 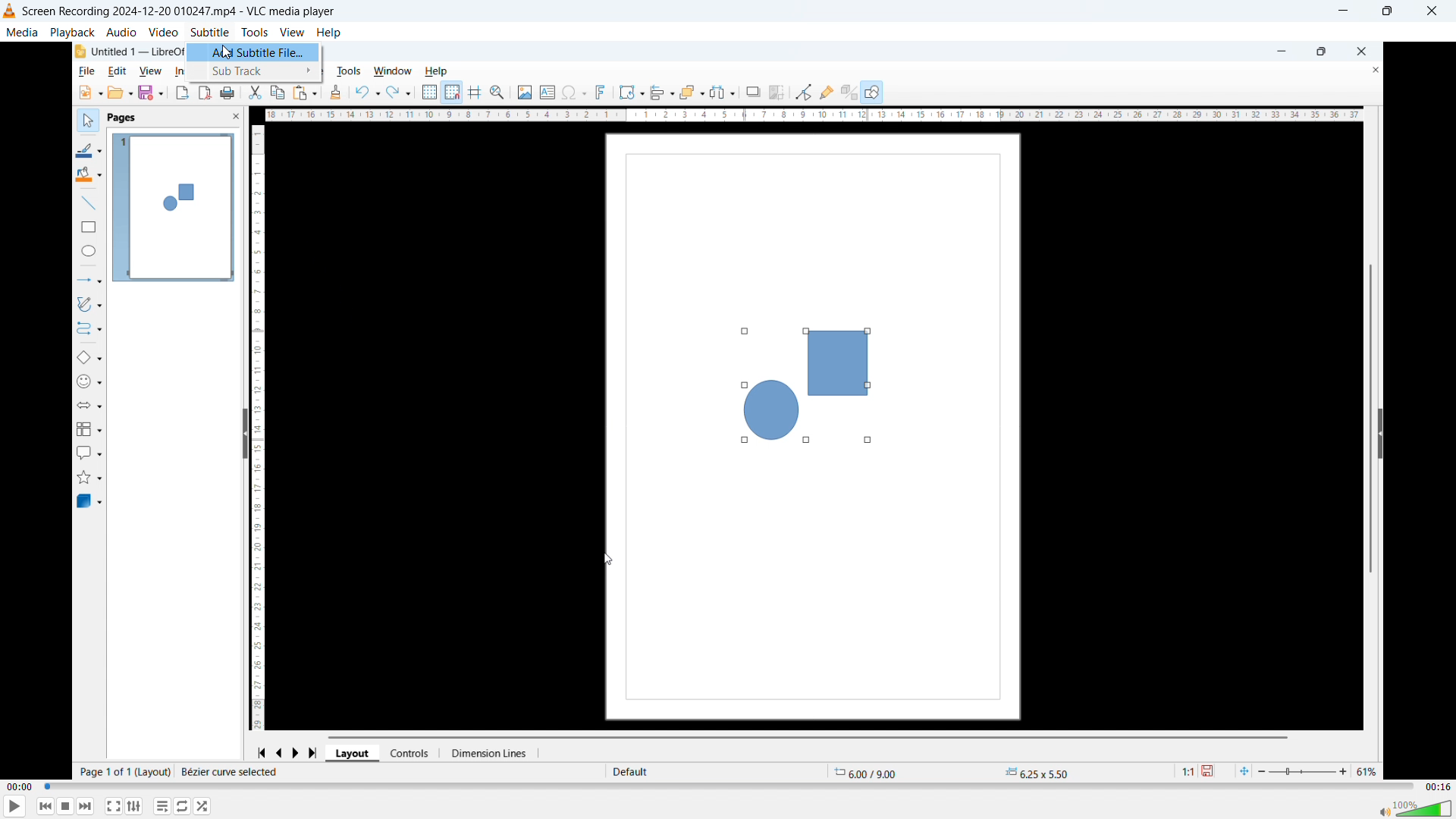 I want to click on Media , so click(x=22, y=31).